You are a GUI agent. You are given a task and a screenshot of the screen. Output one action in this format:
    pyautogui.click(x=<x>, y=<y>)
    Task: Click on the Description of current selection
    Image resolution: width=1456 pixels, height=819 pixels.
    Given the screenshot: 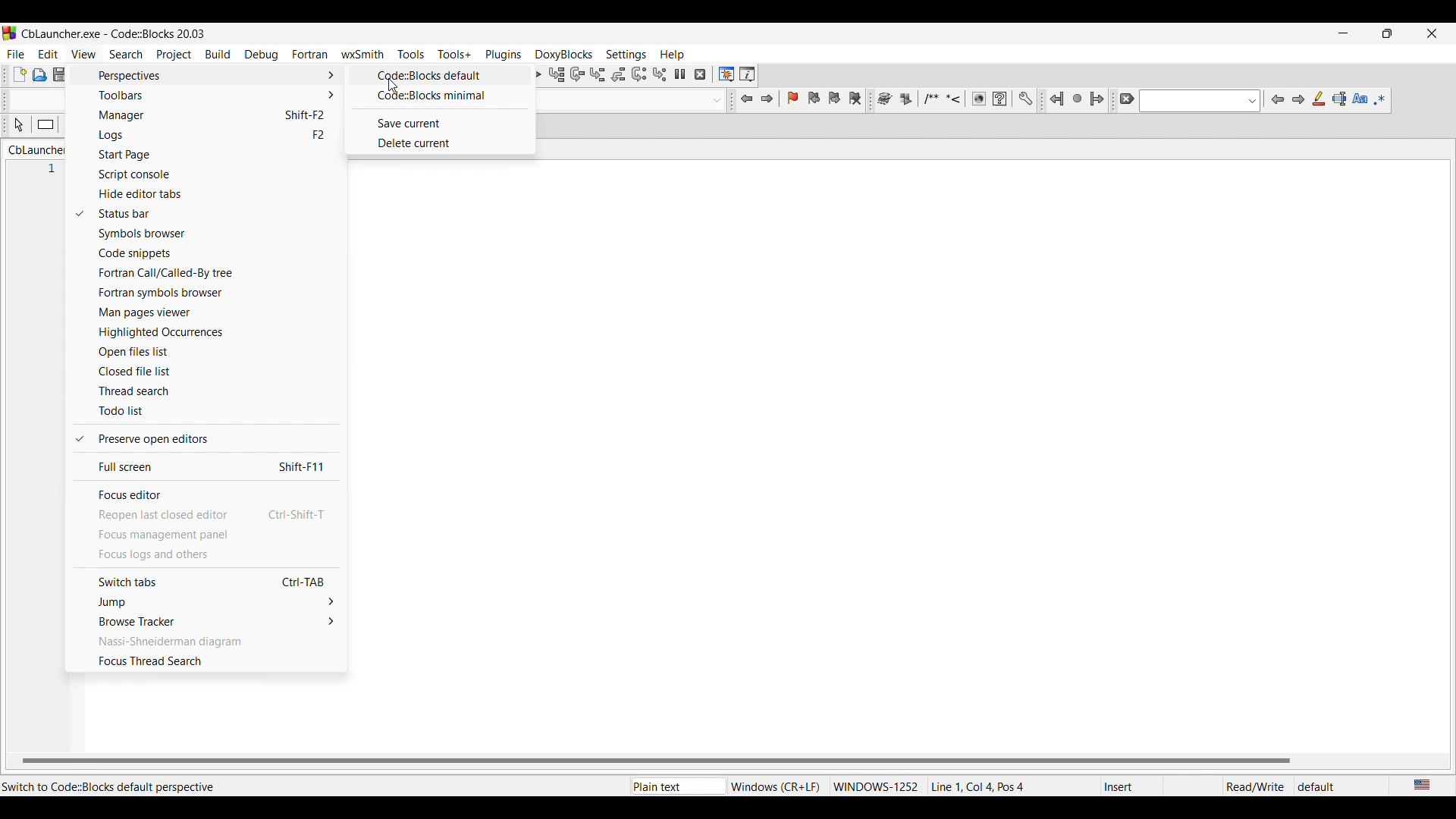 What is the action you would take?
    pyautogui.click(x=114, y=787)
    